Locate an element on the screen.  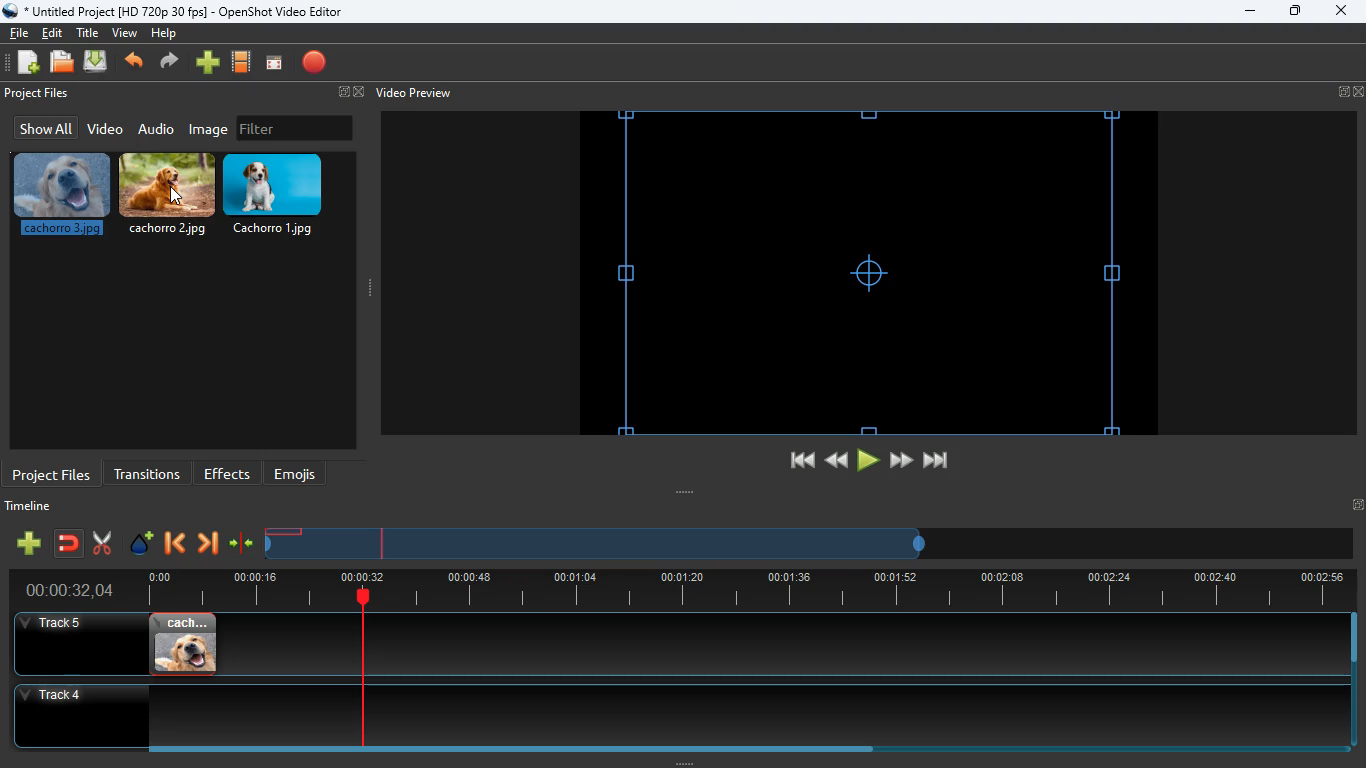
project files is located at coordinates (39, 94).